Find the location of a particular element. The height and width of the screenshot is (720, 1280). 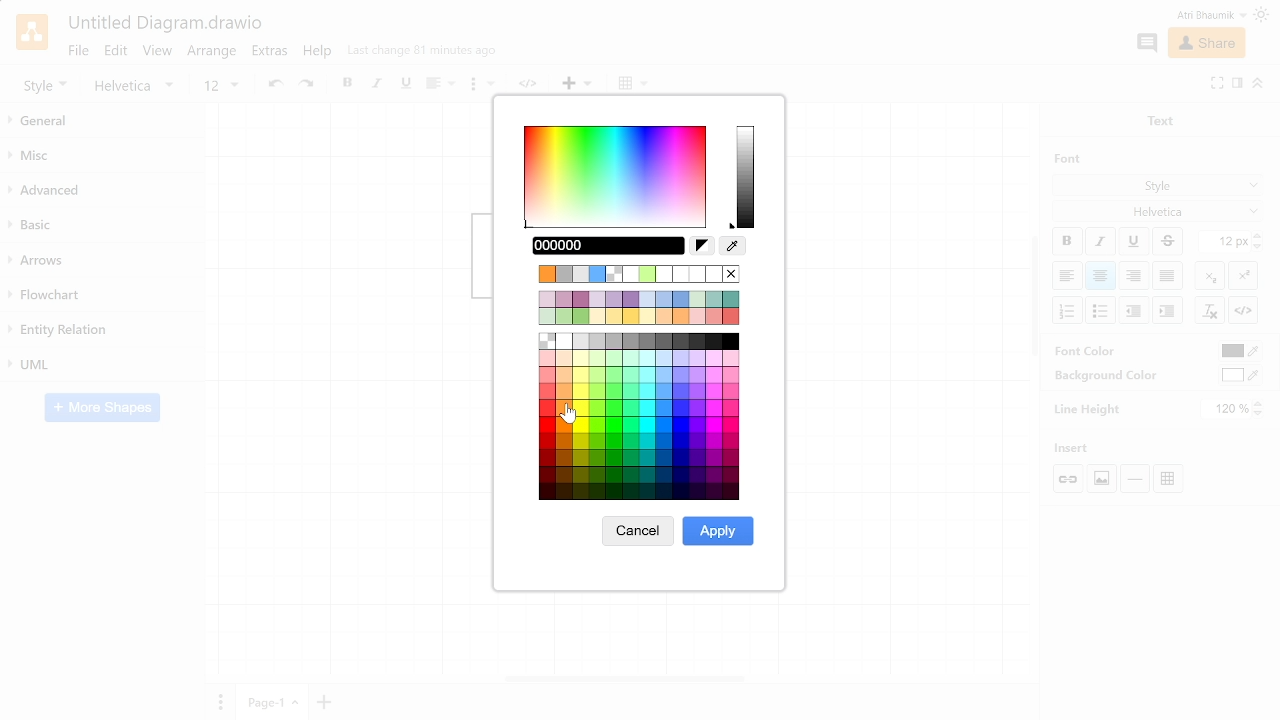

Font size is located at coordinates (1225, 242).